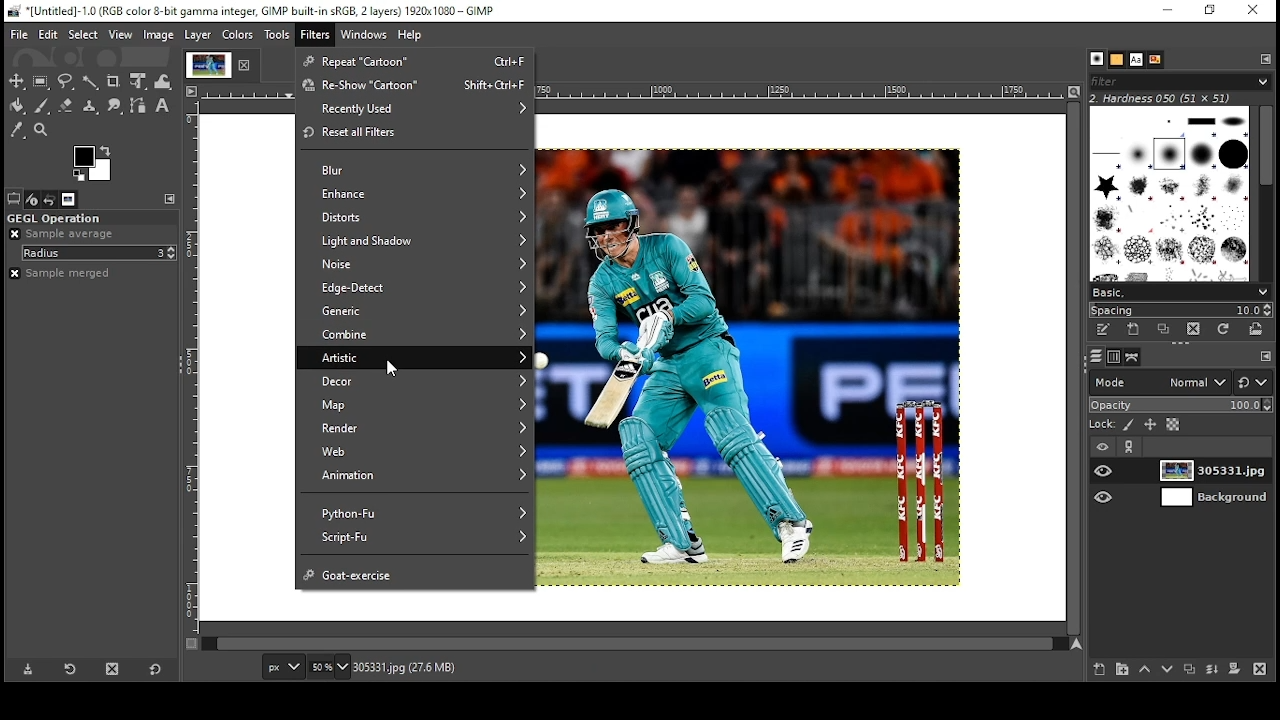  What do you see at coordinates (160, 36) in the screenshot?
I see `image` at bounding box center [160, 36].